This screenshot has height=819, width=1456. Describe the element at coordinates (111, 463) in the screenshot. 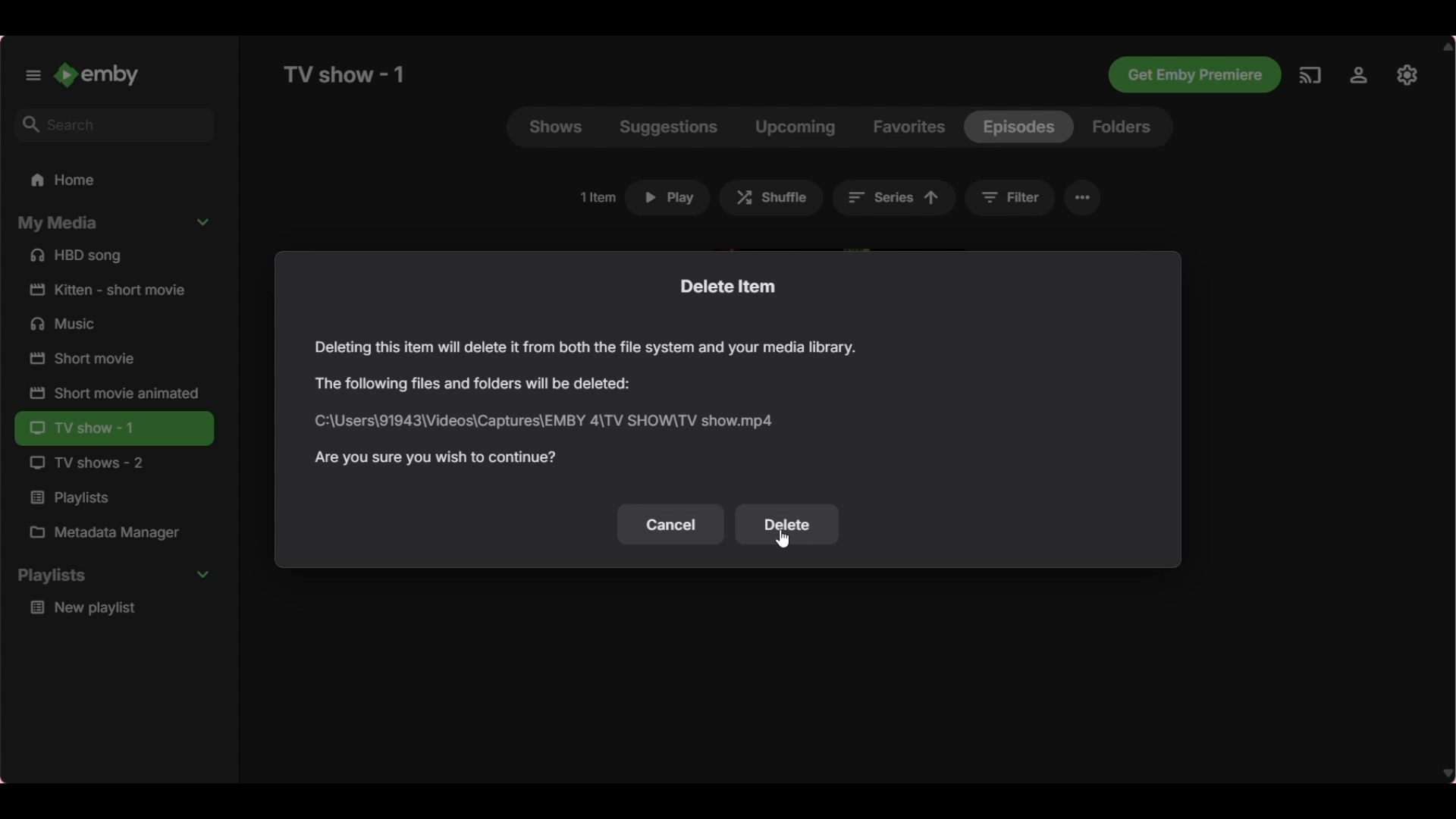

I see `TV show` at that location.